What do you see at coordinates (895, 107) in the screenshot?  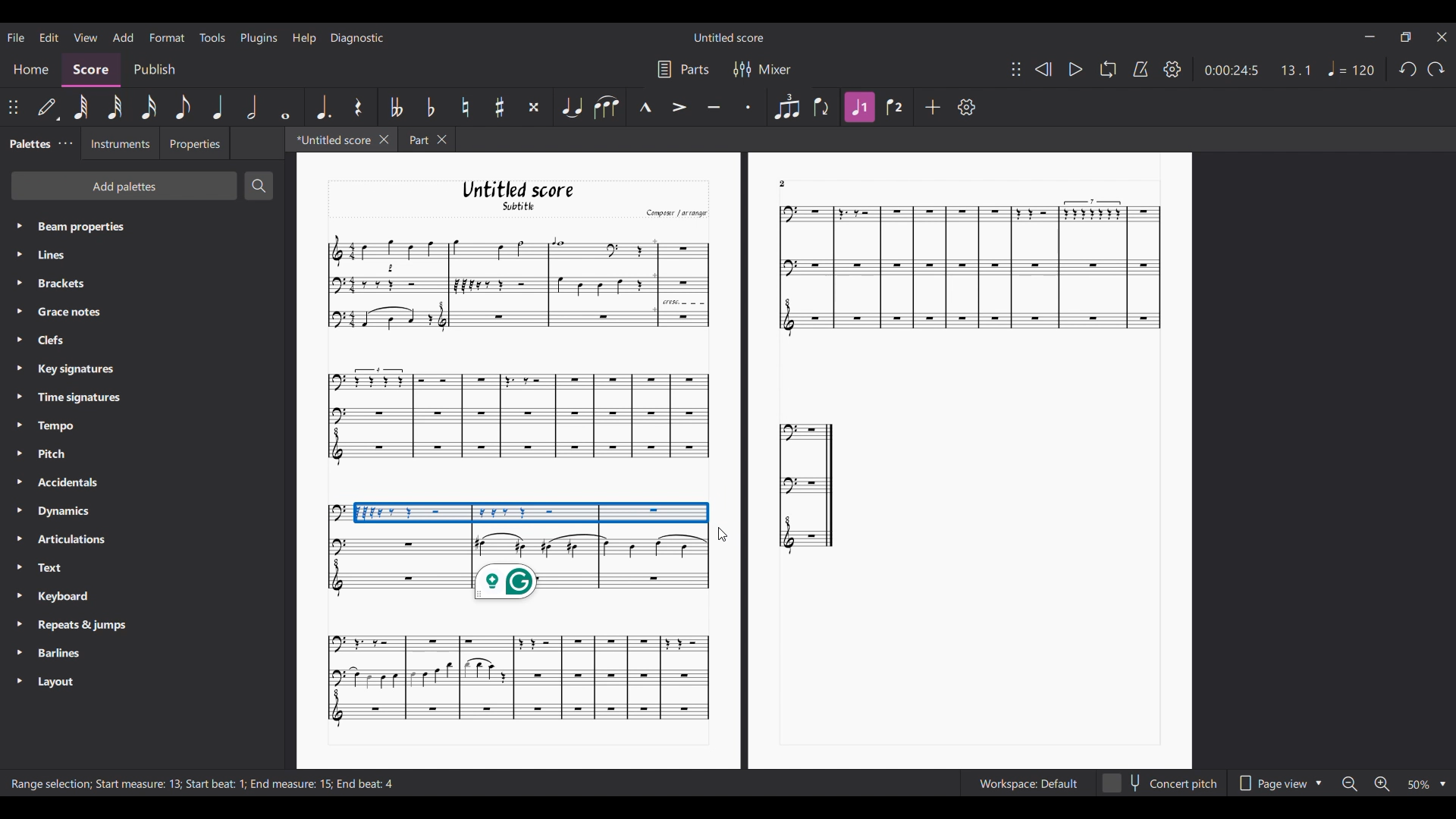 I see `Voice 2` at bounding box center [895, 107].